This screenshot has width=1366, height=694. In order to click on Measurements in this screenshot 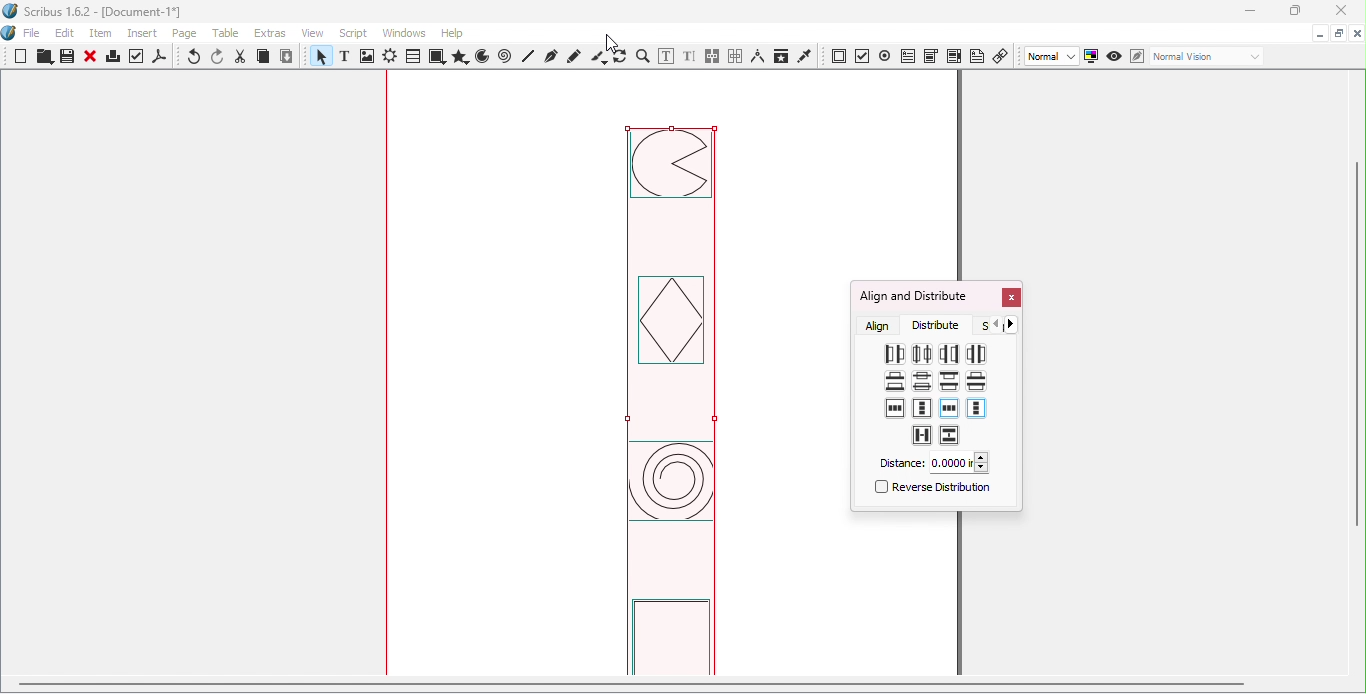, I will do `click(757, 56)`.